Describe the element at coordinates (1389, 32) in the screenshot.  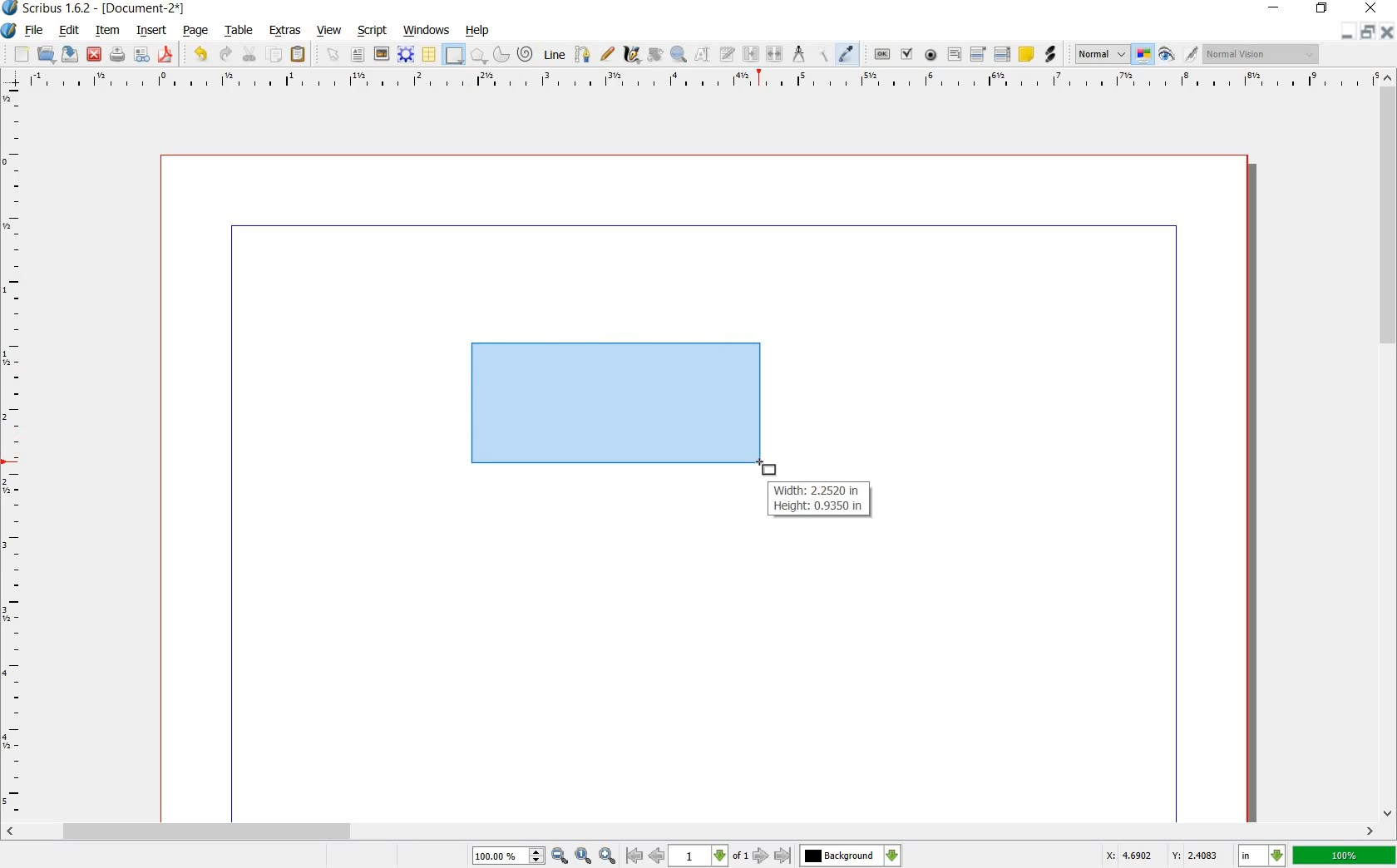
I see `CLOSE` at that location.